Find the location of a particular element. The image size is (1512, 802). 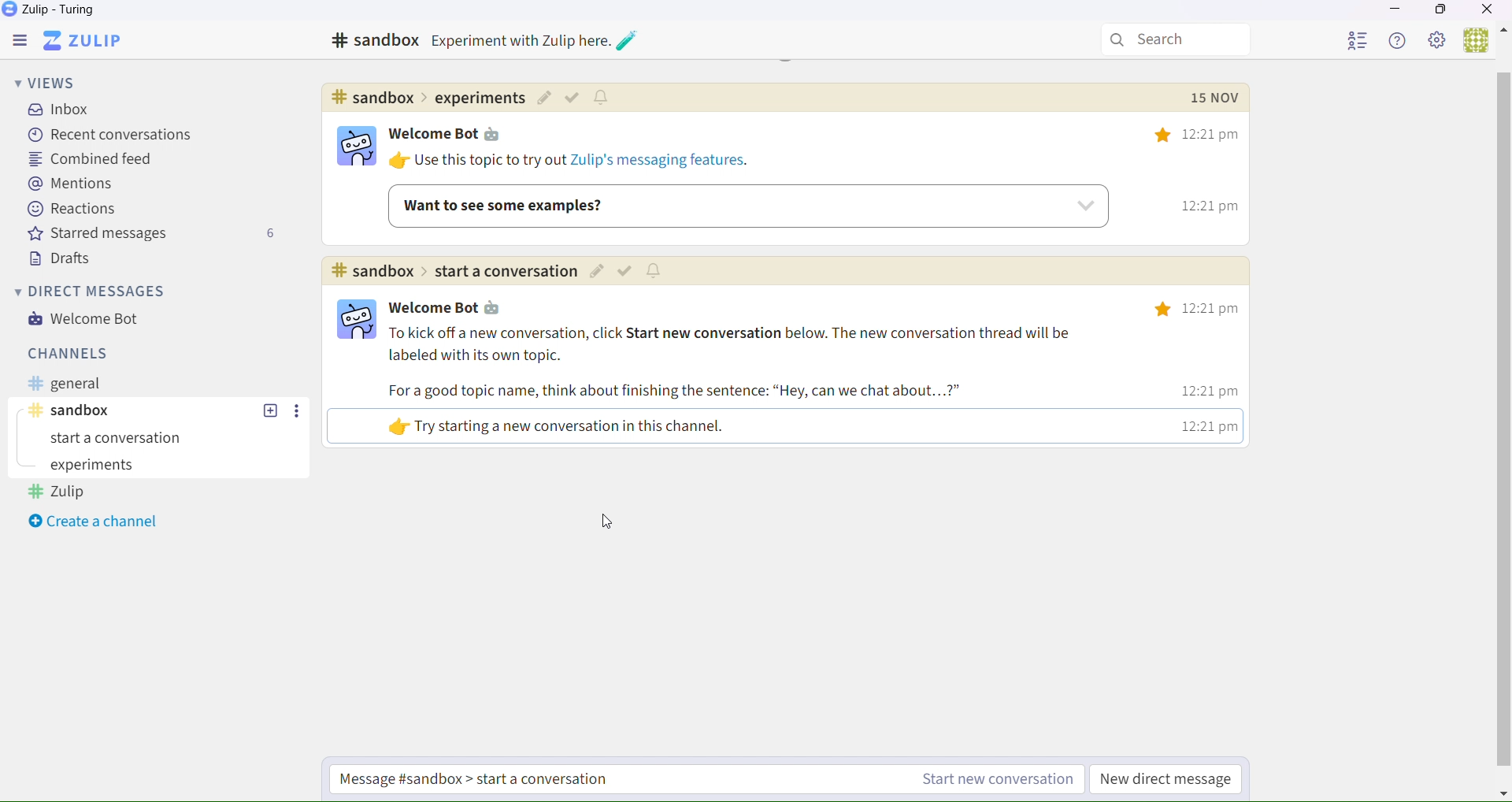

logo is located at coordinates (350, 323).